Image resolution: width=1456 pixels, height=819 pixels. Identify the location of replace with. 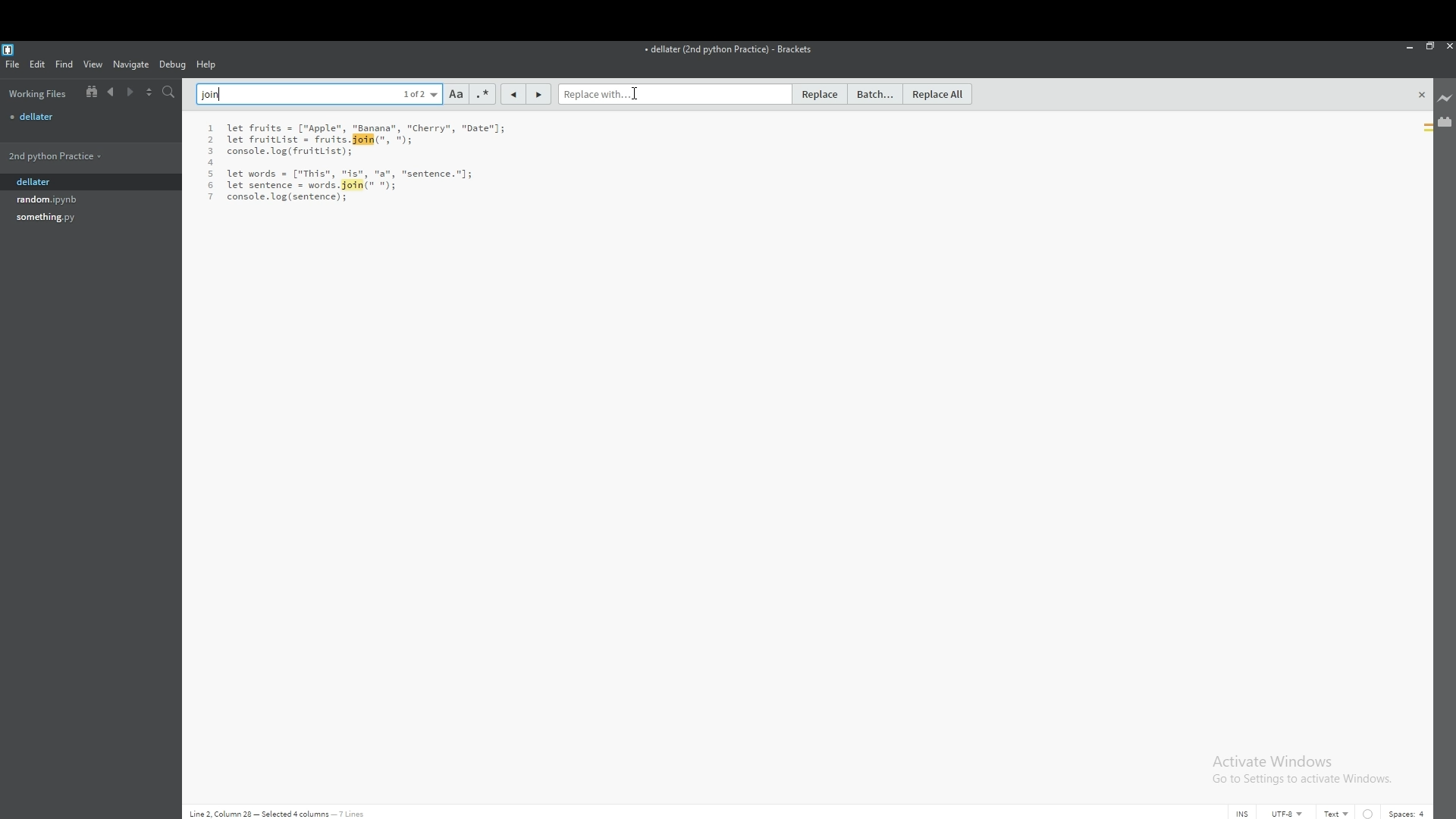
(674, 93).